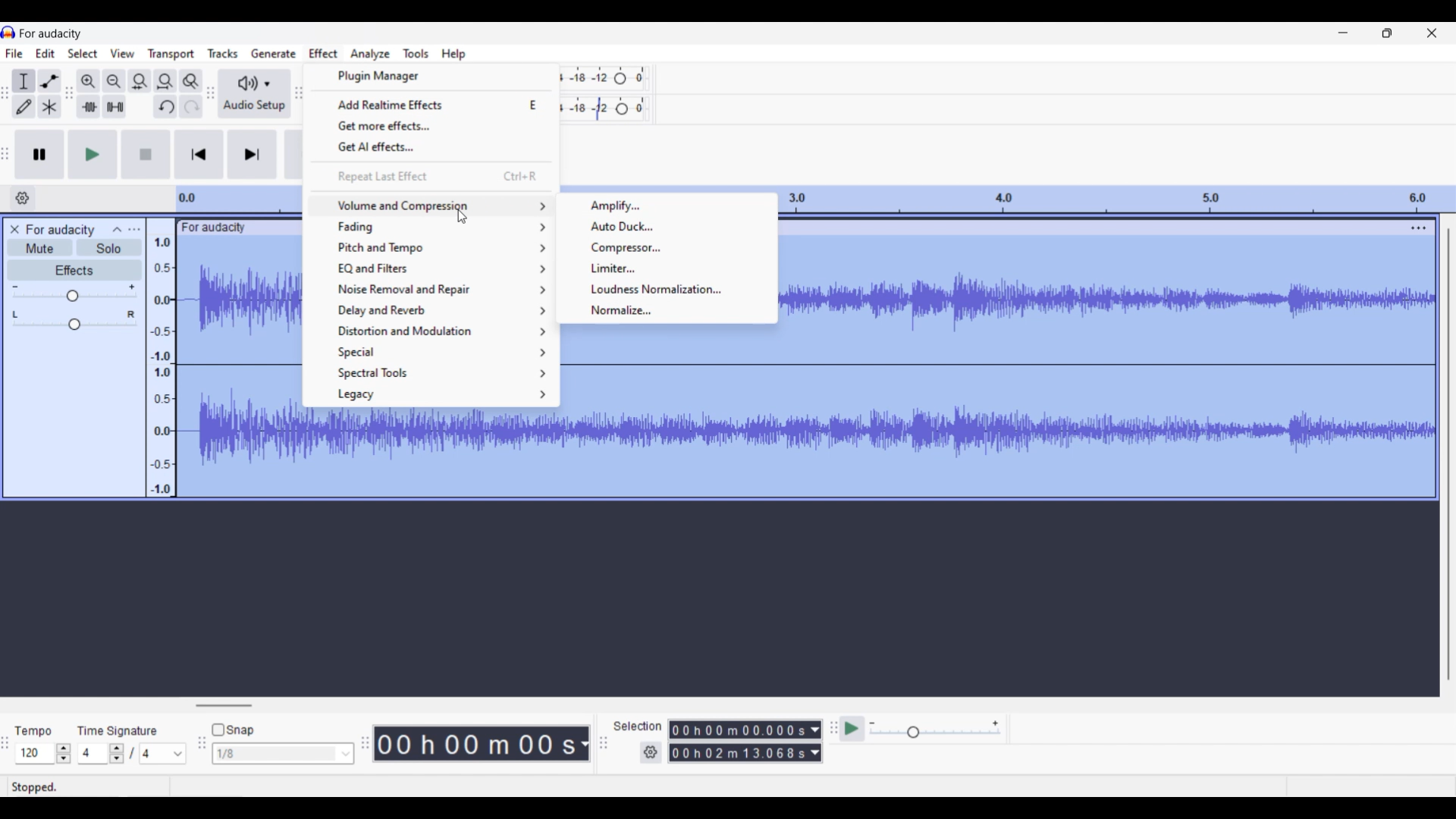  What do you see at coordinates (191, 106) in the screenshot?
I see `Redo` at bounding box center [191, 106].